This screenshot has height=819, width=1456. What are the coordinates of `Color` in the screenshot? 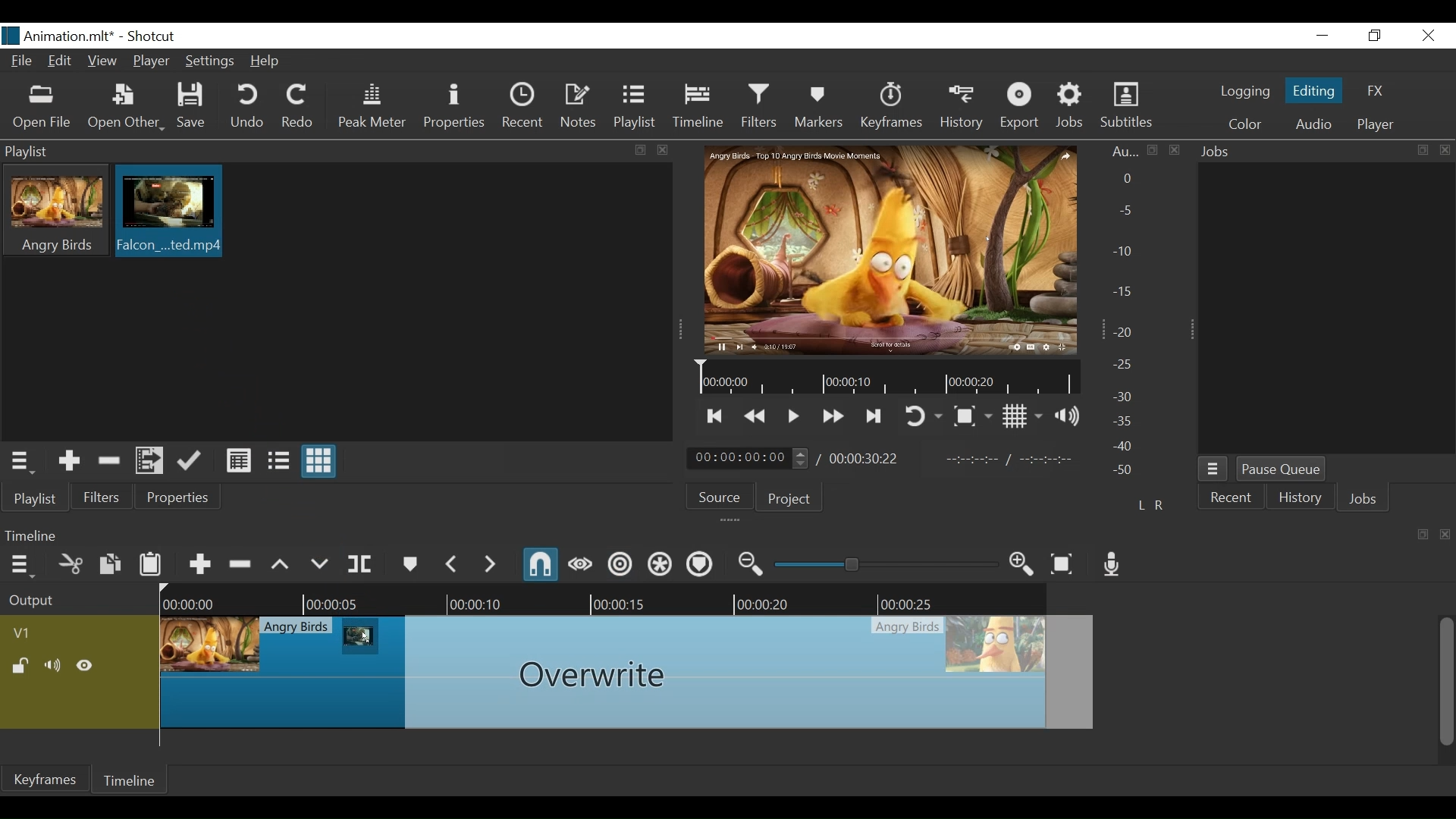 It's located at (1248, 124).